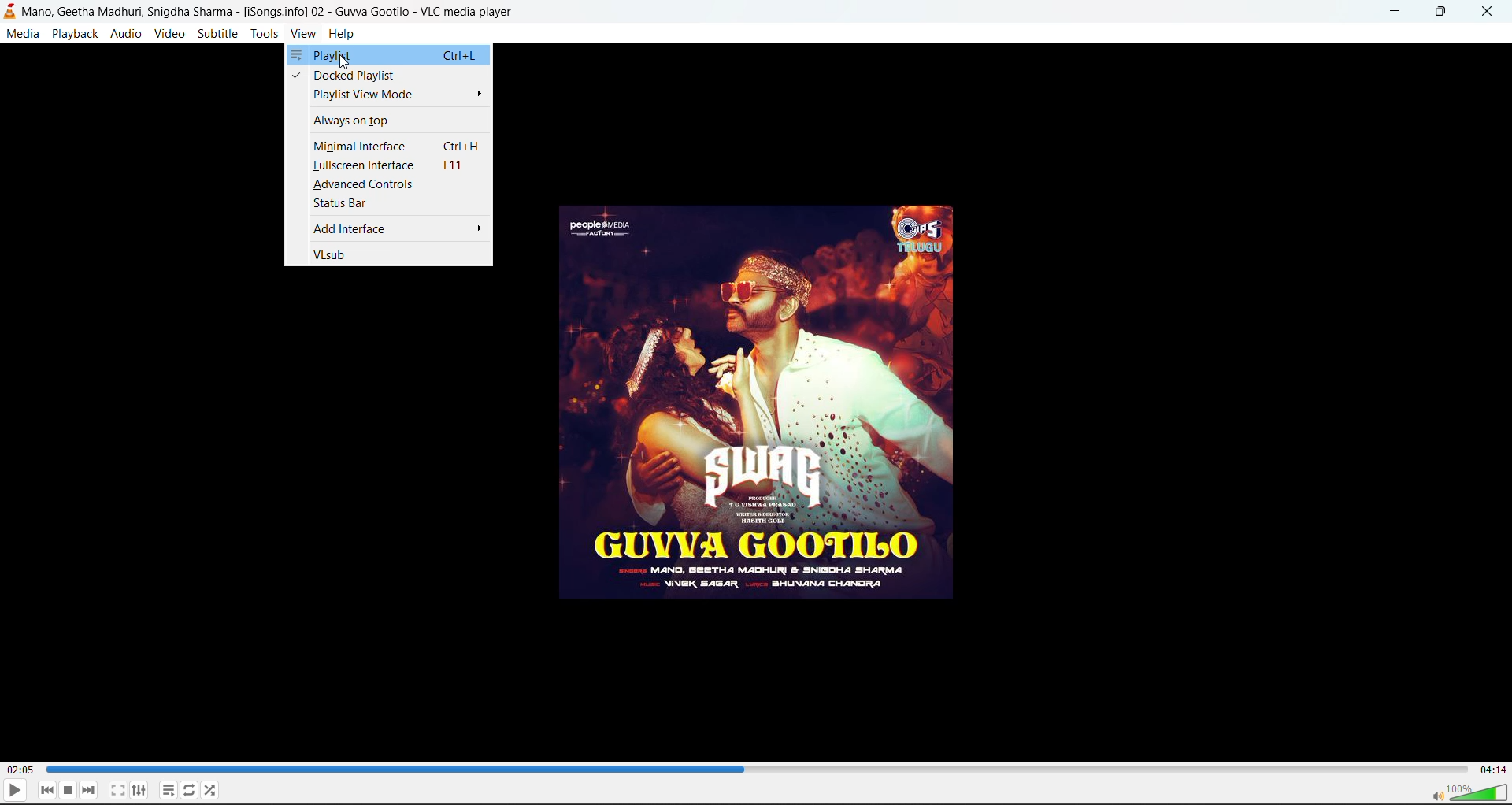 The width and height of the screenshot is (1512, 805). Describe the element at coordinates (140, 790) in the screenshot. I see `settings` at that location.